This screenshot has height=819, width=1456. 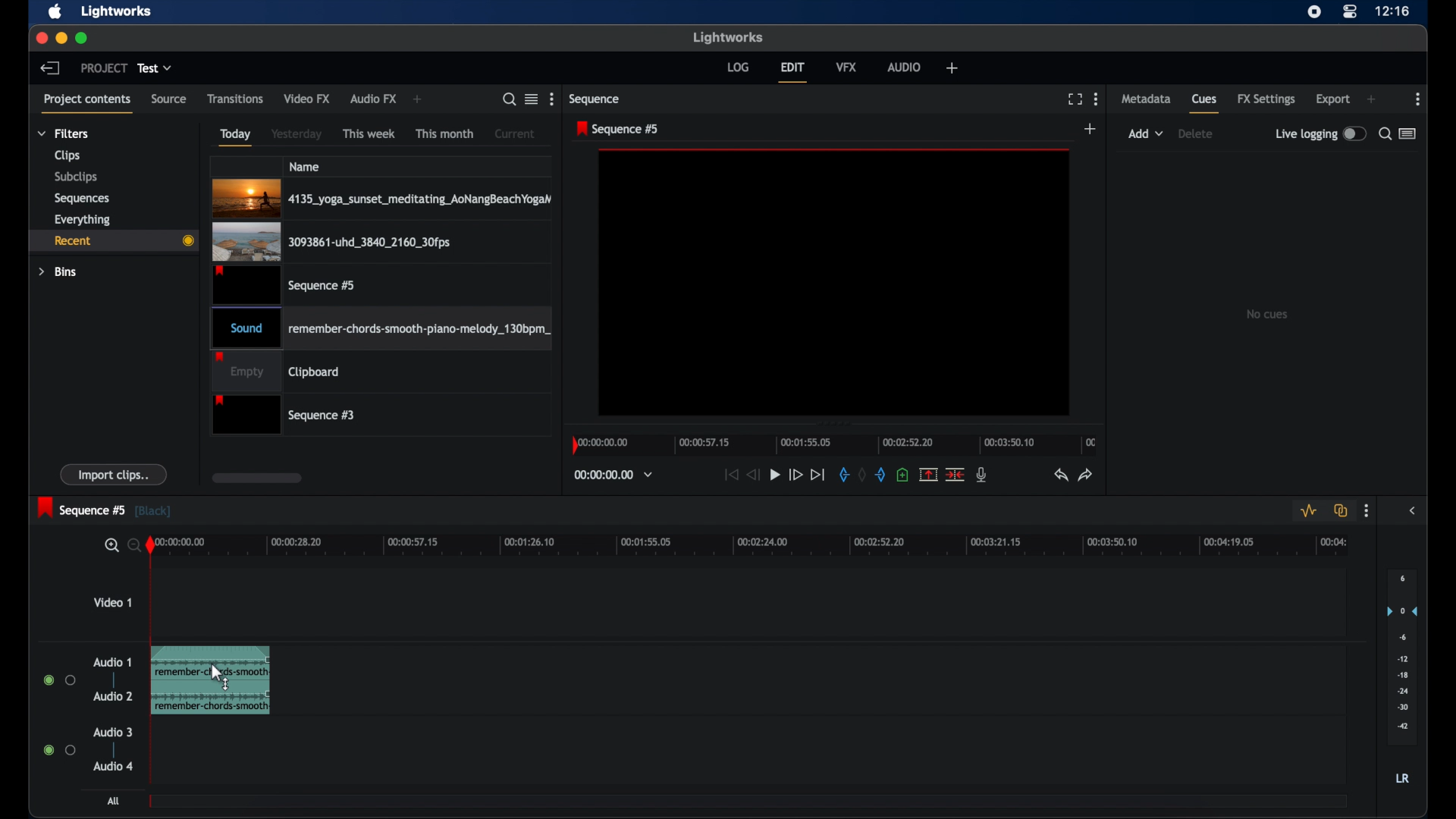 What do you see at coordinates (1266, 99) in the screenshot?
I see `fx settings` at bounding box center [1266, 99].